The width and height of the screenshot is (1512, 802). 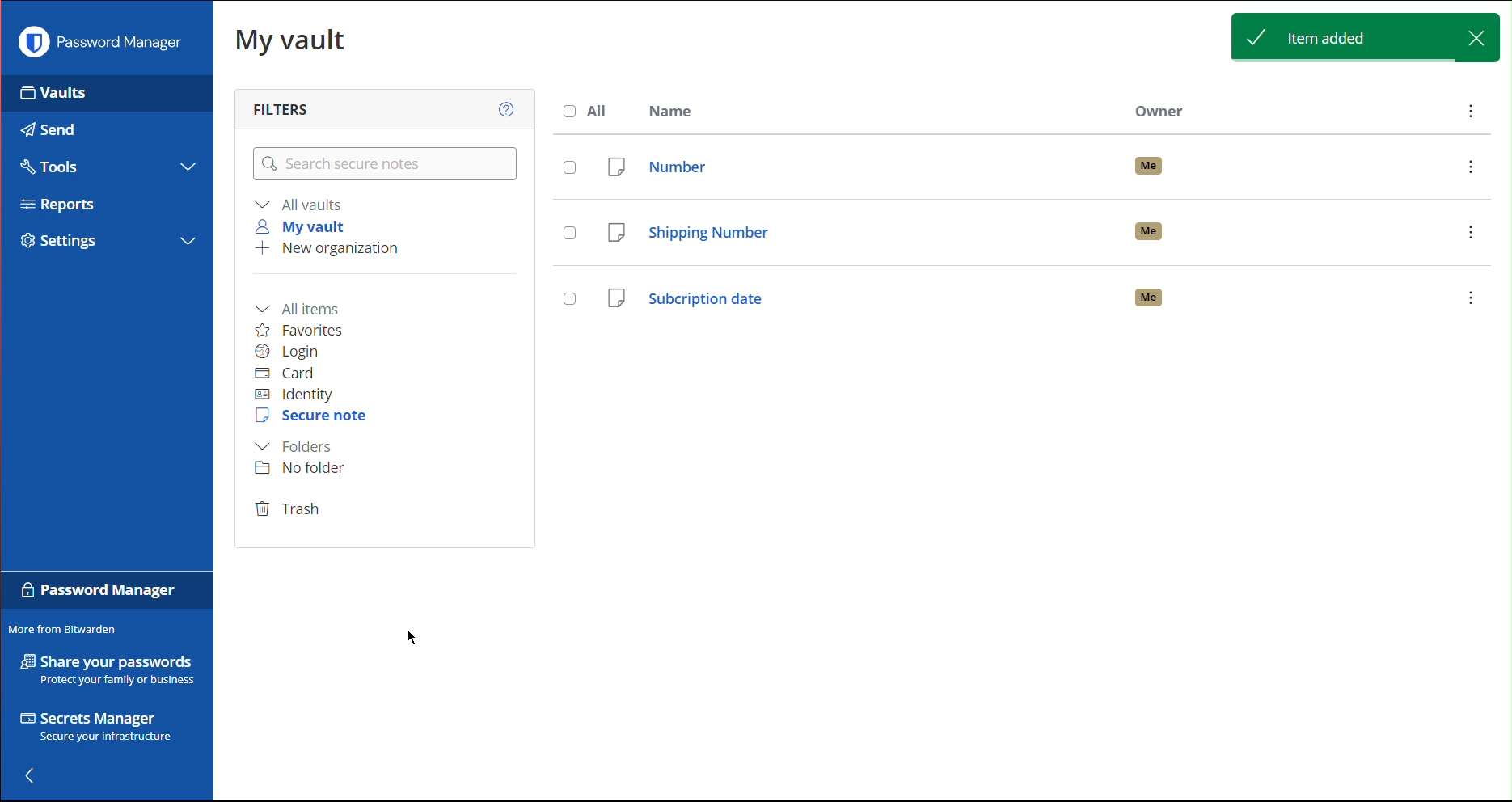 I want to click on Settings, so click(x=59, y=243).